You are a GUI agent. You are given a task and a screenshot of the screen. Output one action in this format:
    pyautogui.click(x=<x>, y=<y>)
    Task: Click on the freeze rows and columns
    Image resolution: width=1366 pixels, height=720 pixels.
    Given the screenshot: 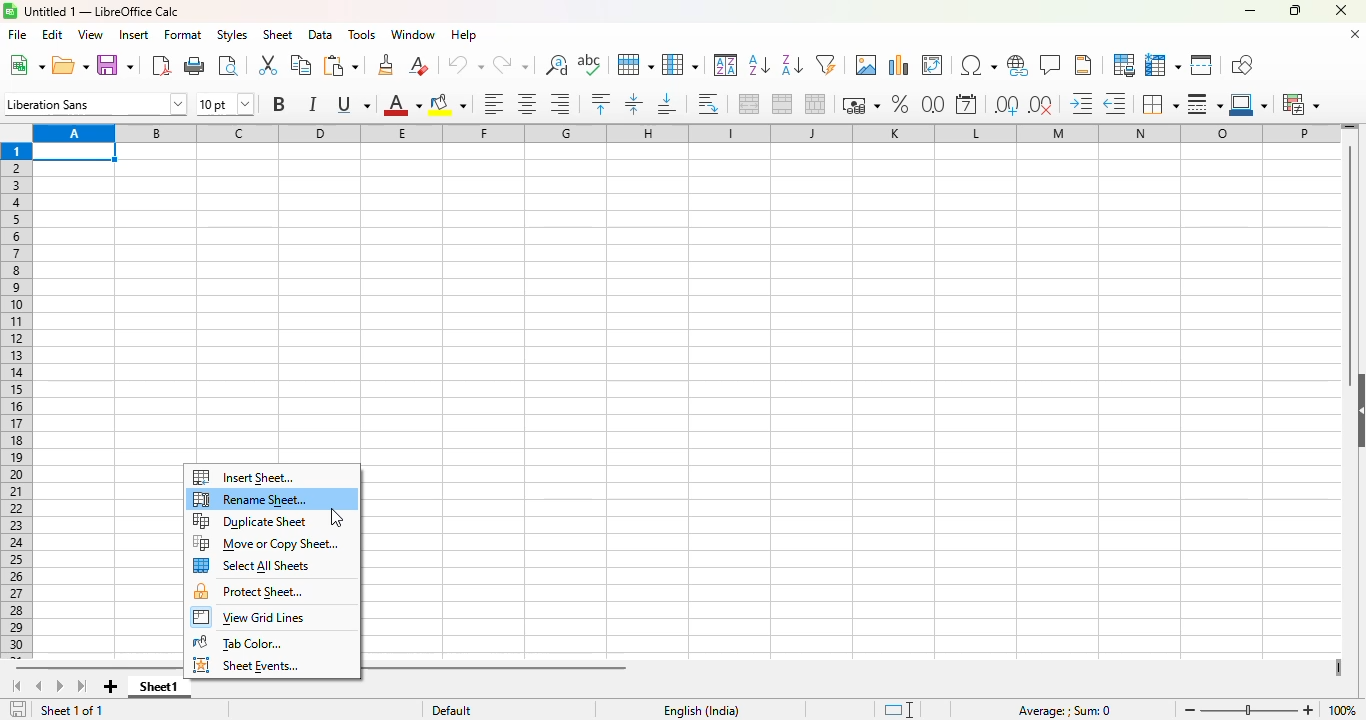 What is the action you would take?
    pyautogui.click(x=1163, y=64)
    